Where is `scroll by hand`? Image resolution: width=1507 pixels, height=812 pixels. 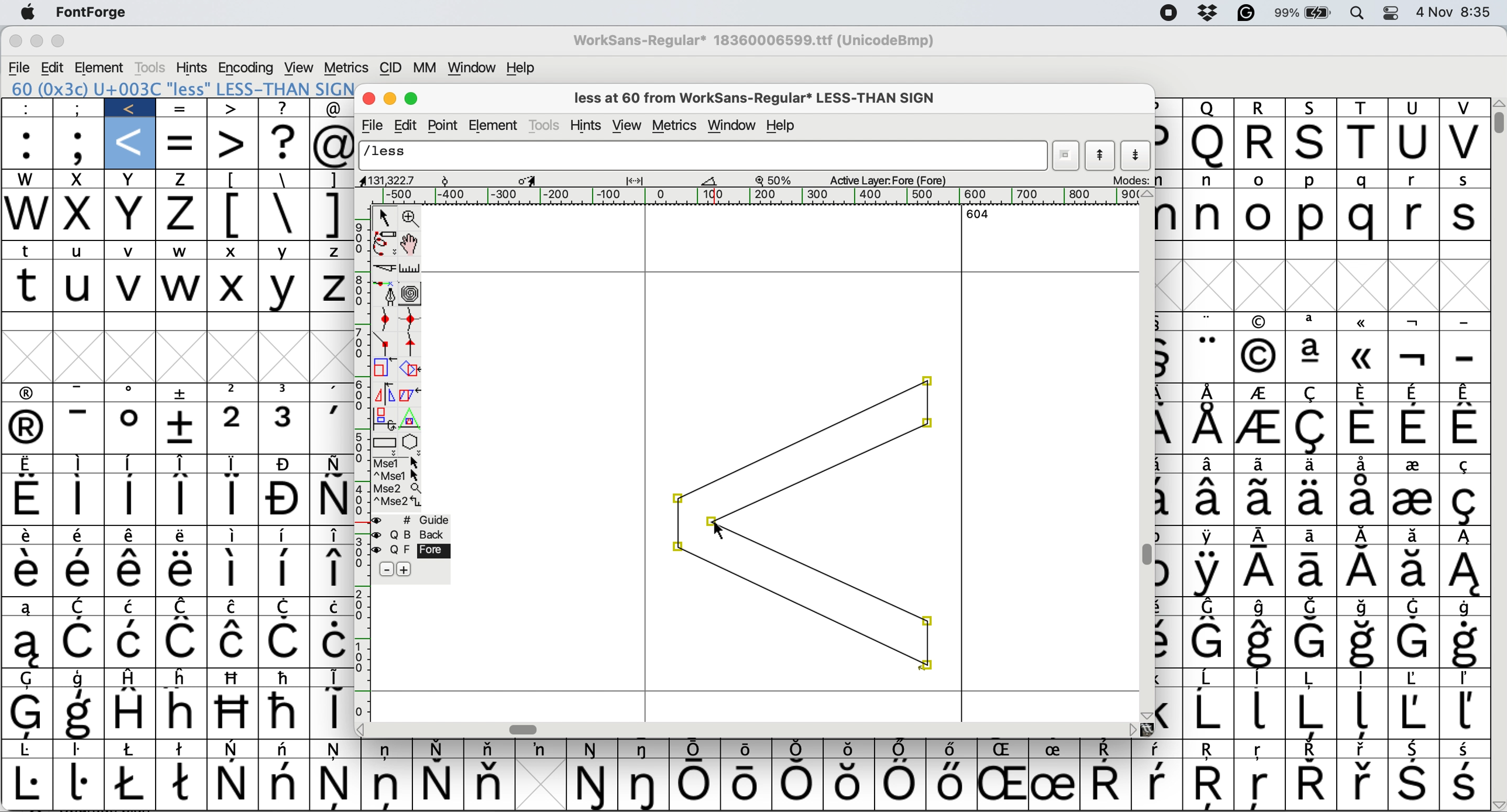
scroll by hand is located at coordinates (412, 241).